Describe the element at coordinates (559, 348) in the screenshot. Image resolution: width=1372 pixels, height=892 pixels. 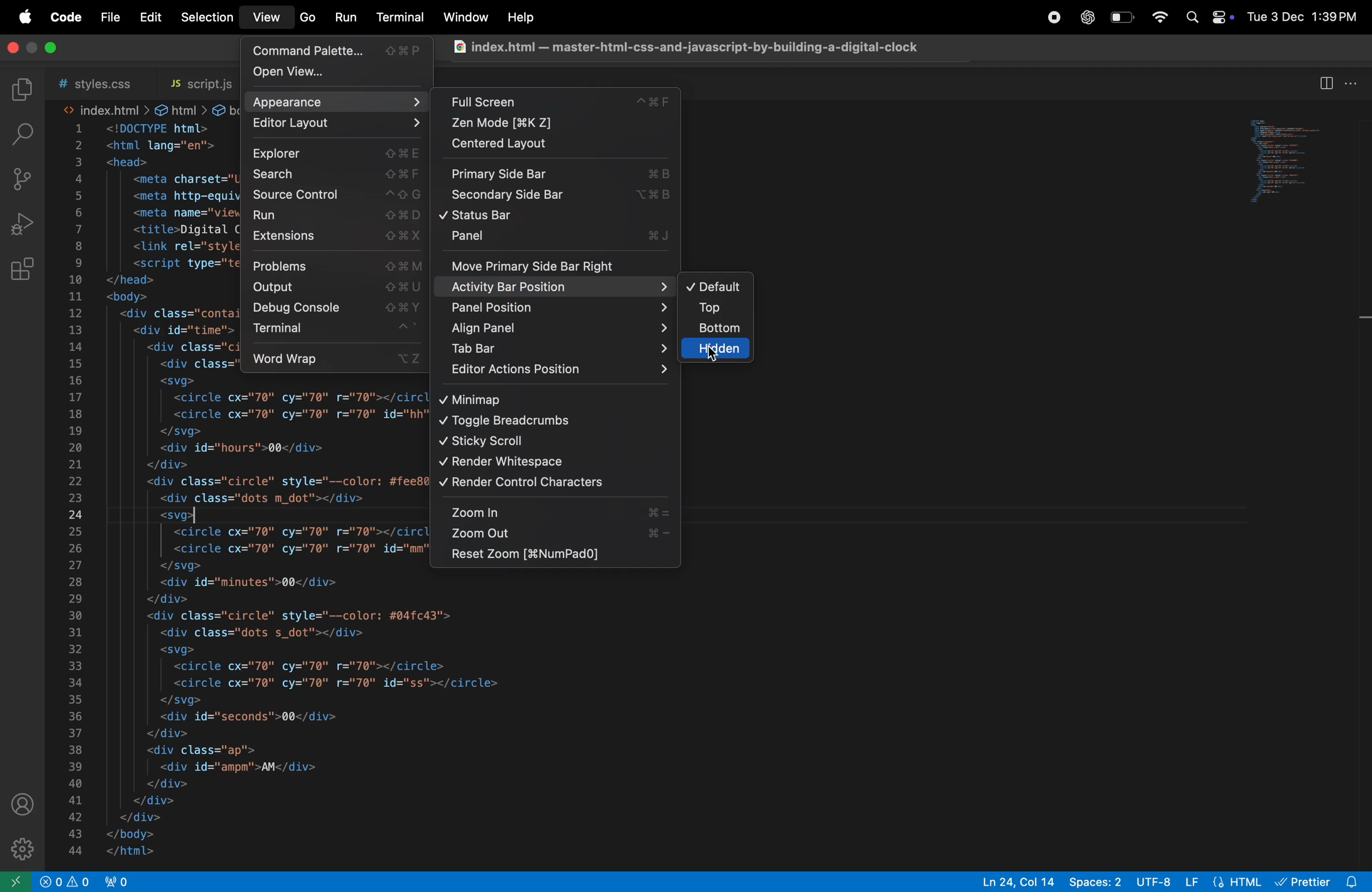
I see `tab bar` at that location.